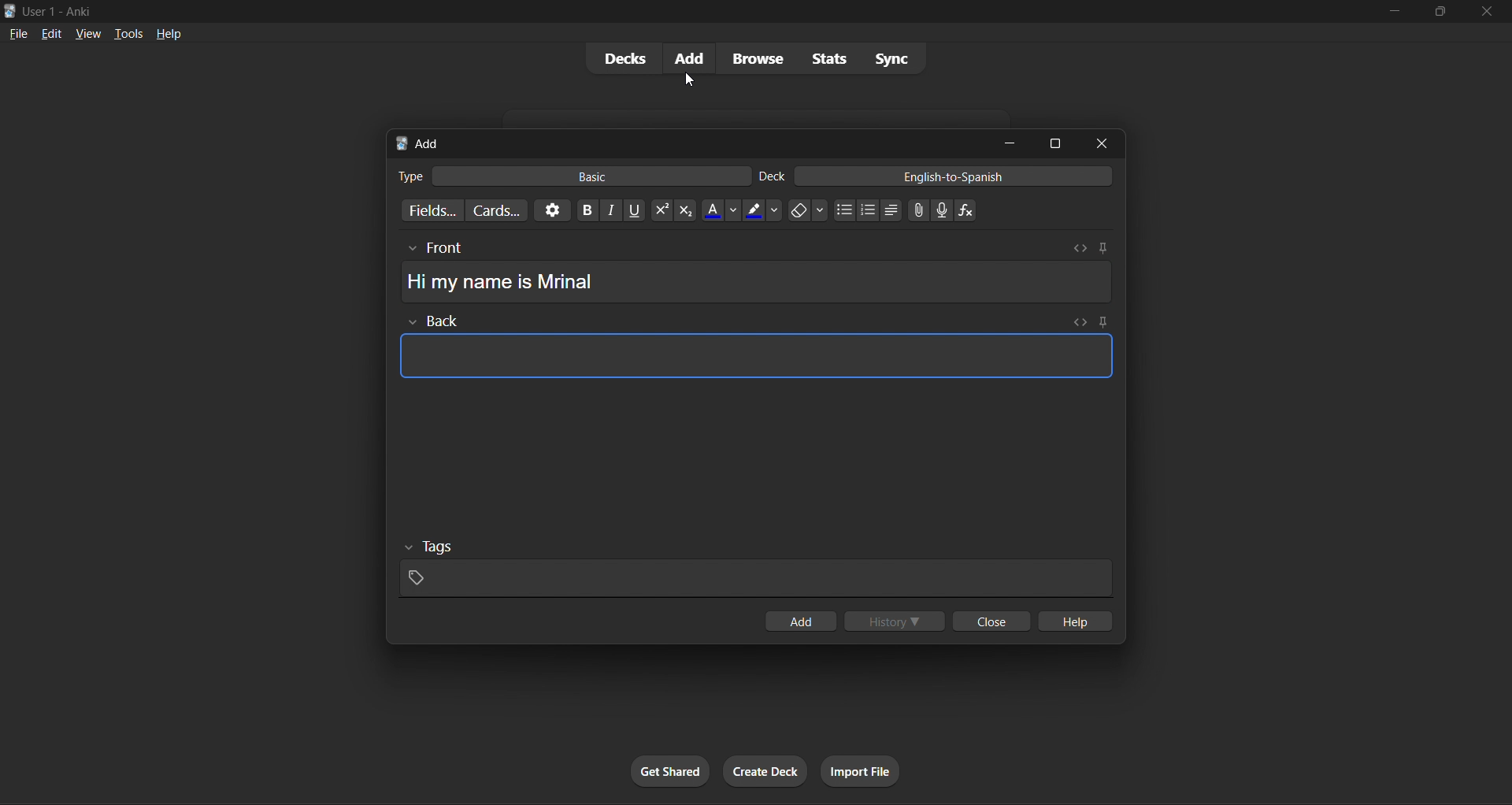  I want to click on english-to-spanish deck, so click(936, 178).